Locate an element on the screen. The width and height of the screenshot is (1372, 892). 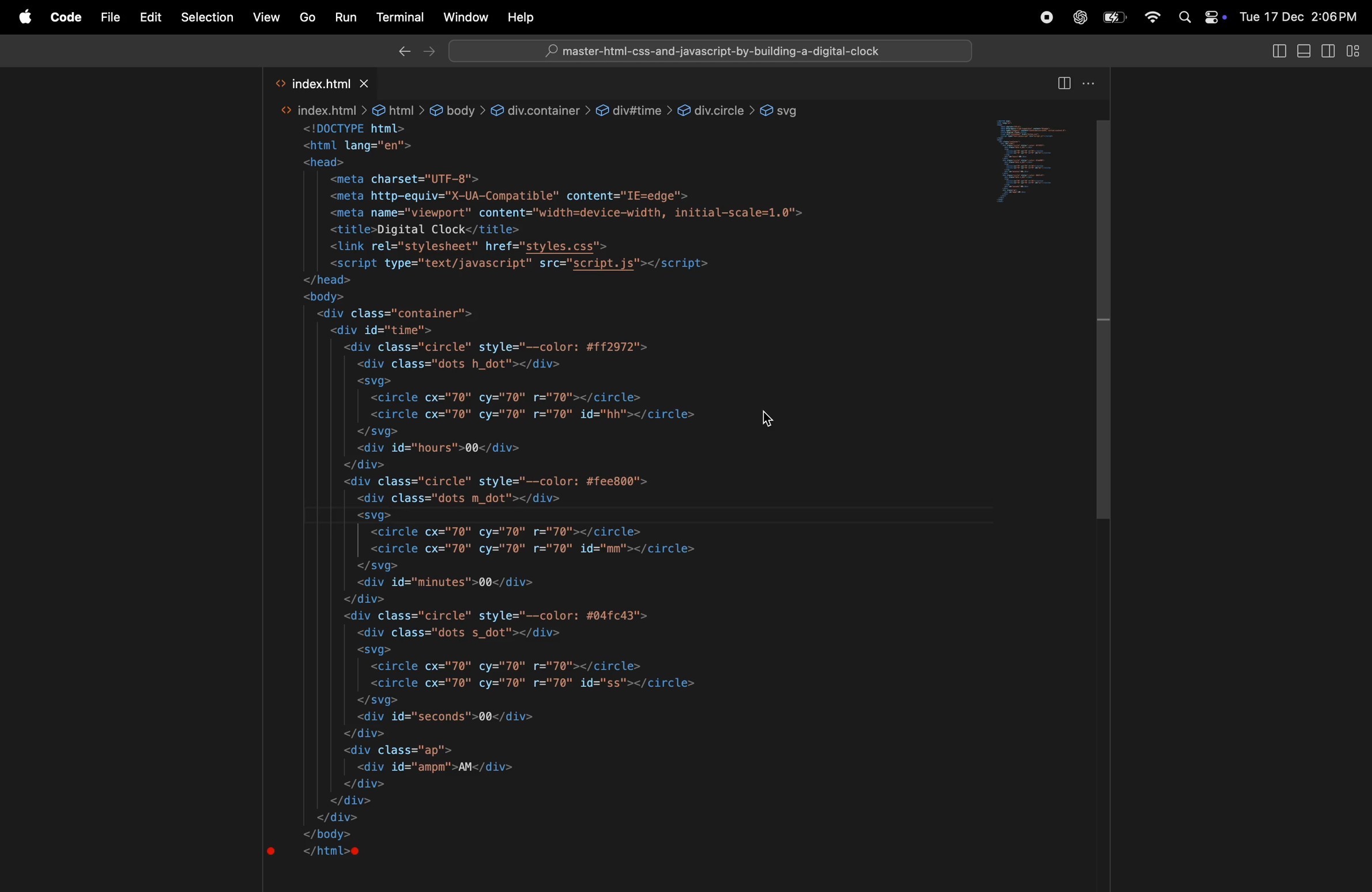
toggle editor is located at coordinates (1065, 85).